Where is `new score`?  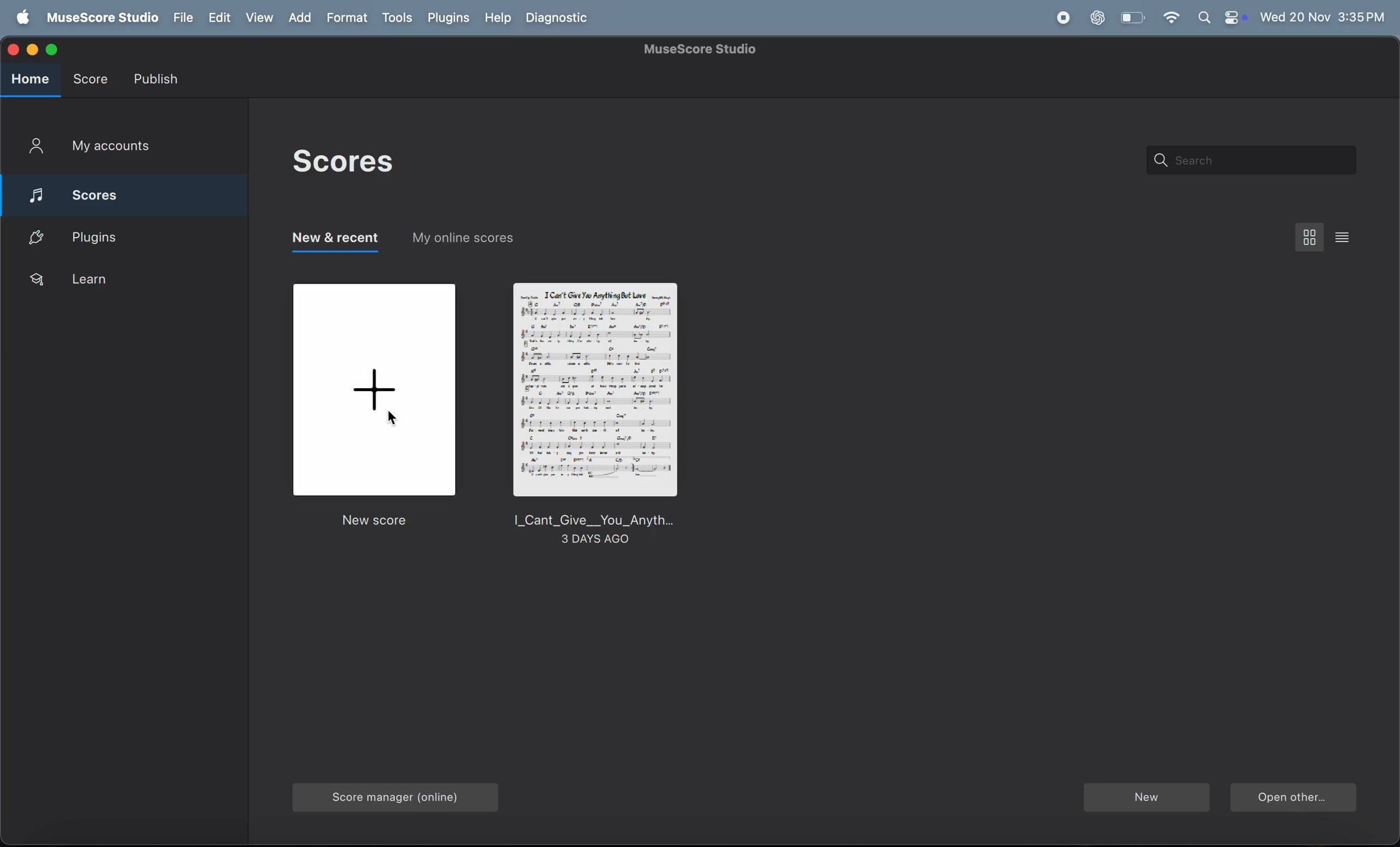
new score is located at coordinates (377, 407).